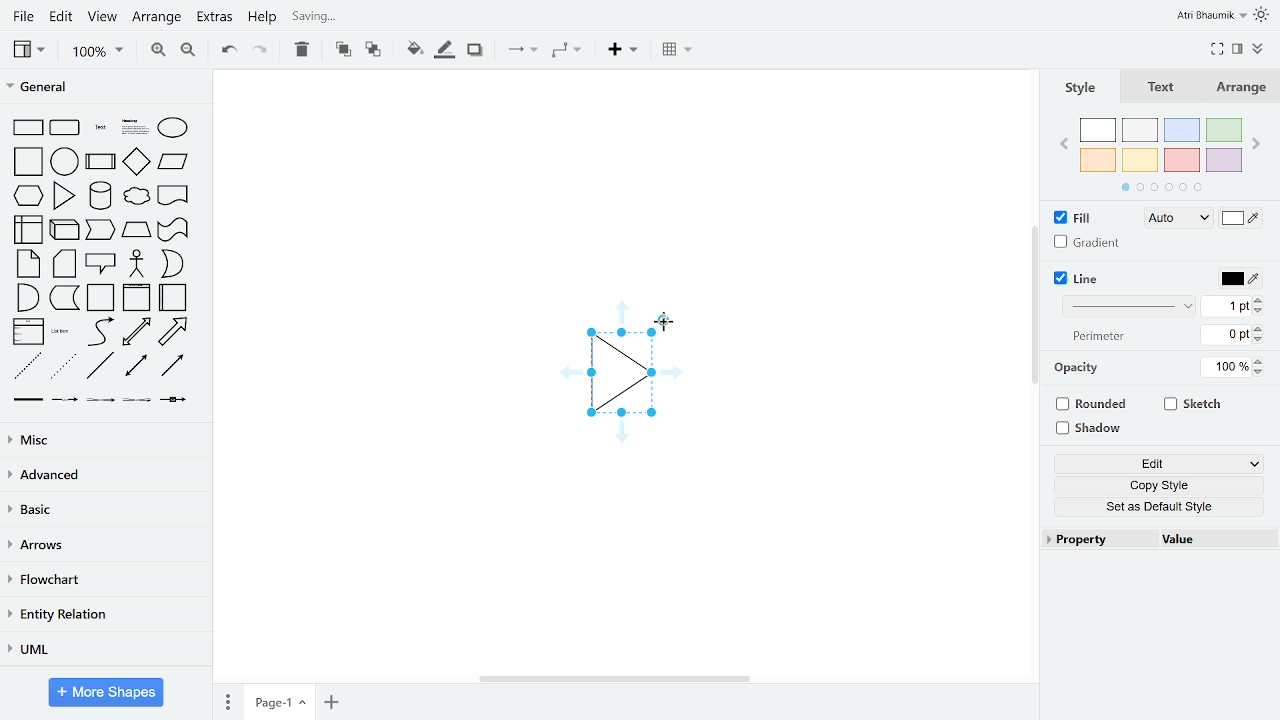 The width and height of the screenshot is (1280, 720). Describe the element at coordinates (187, 51) in the screenshot. I see `zoom out` at that location.